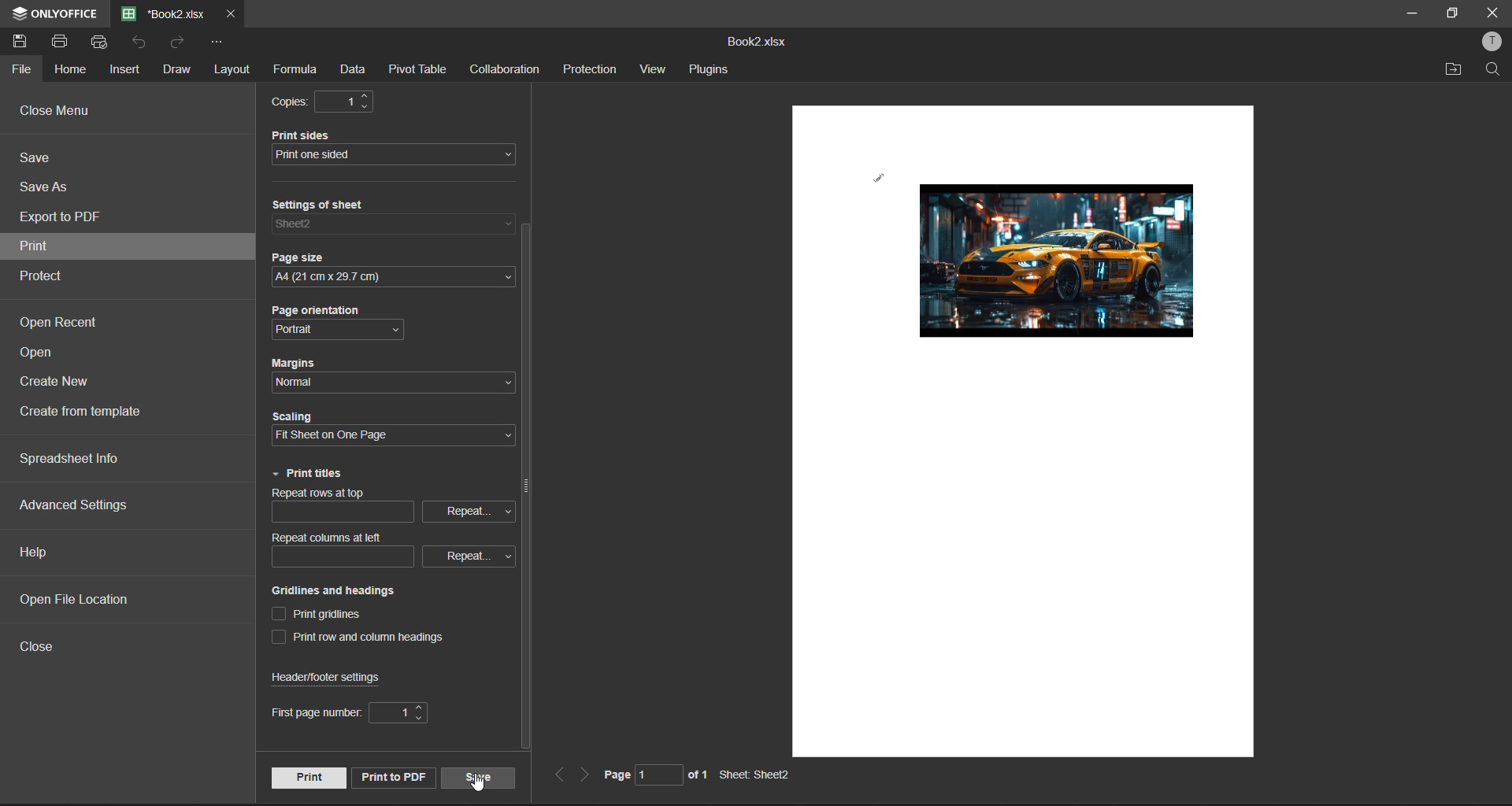 The height and width of the screenshot is (806, 1512). What do you see at coordinates (524, 489) in the screenshot?
I see `vertical scroll bar` at bounding box center [524, 489].